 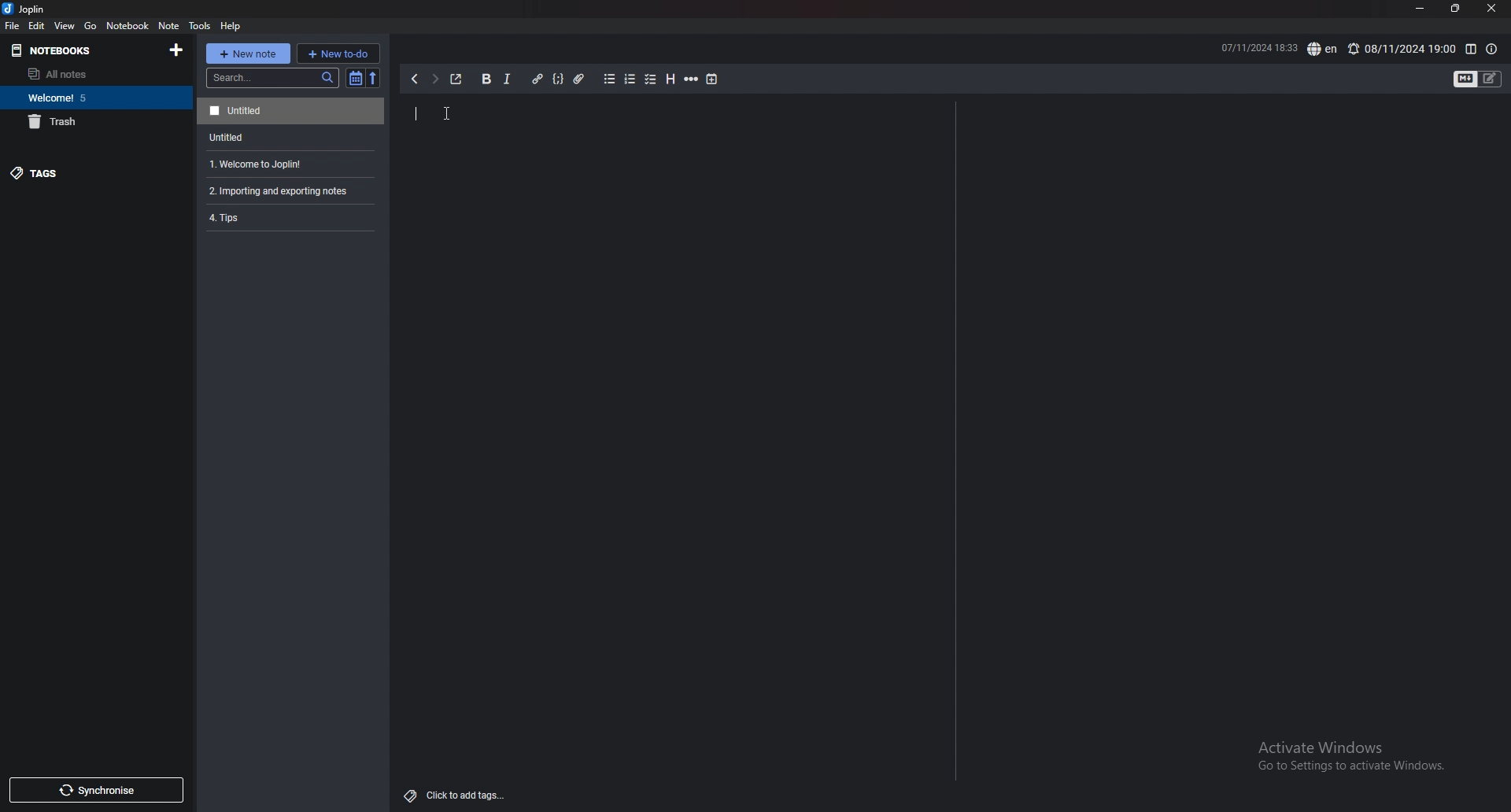 I want to click on spell check, so click(x=1324, y=49).